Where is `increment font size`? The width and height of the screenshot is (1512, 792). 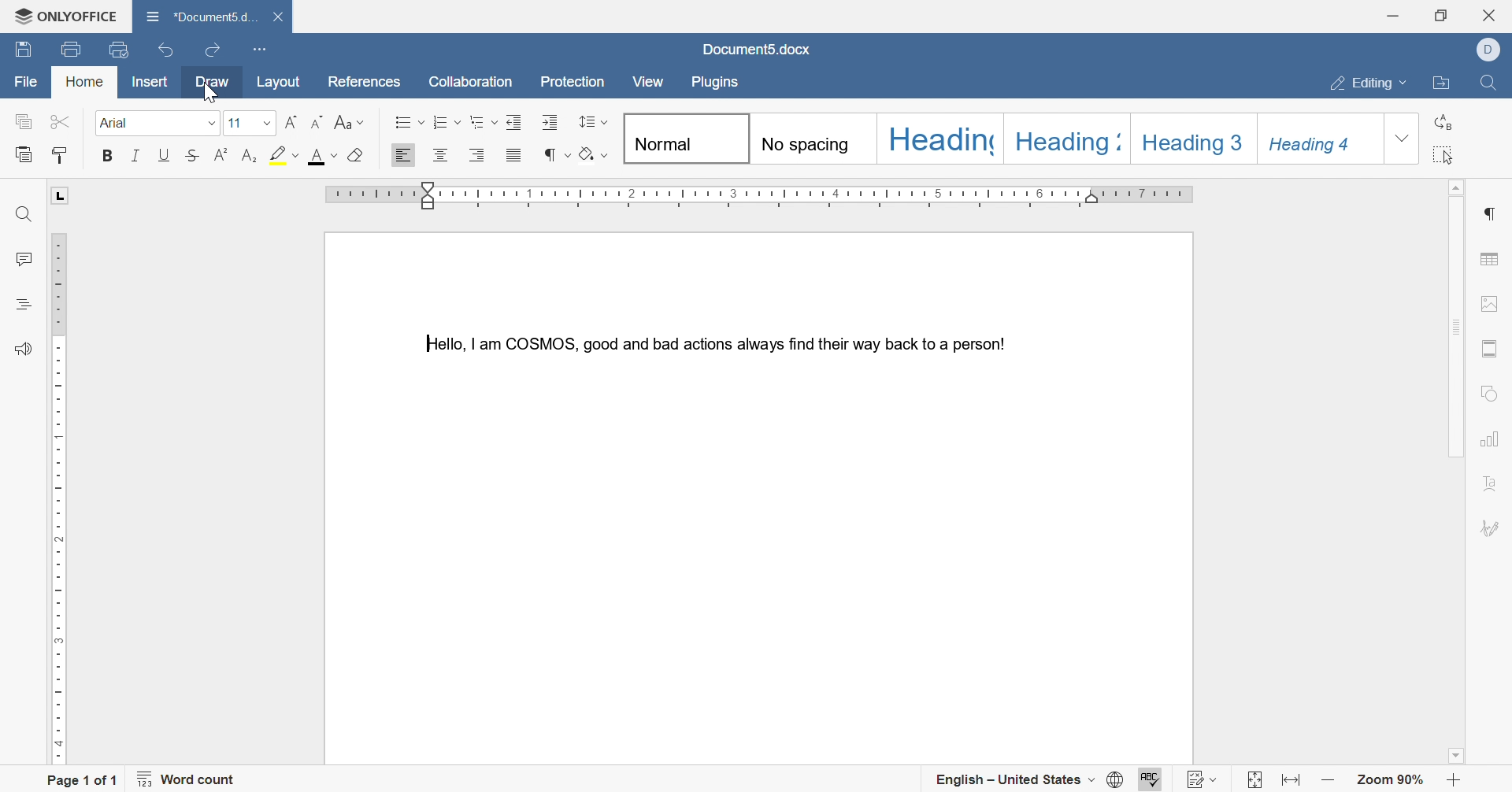 increment font size is located at coordinates (293, 124).